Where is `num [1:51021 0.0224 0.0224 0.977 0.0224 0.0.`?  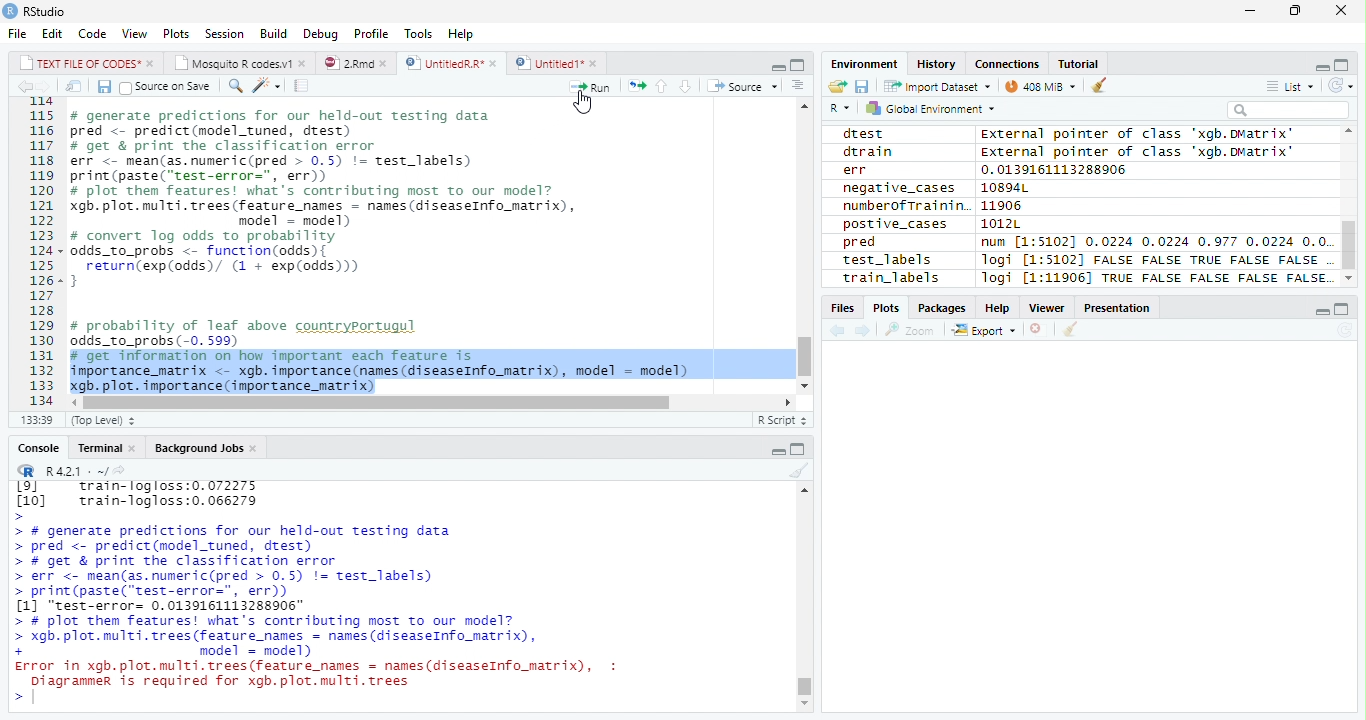 num [1:51021 0.0224 0.0224 0.977 0.0224 0.0. is located at coordinates (1155, 240).